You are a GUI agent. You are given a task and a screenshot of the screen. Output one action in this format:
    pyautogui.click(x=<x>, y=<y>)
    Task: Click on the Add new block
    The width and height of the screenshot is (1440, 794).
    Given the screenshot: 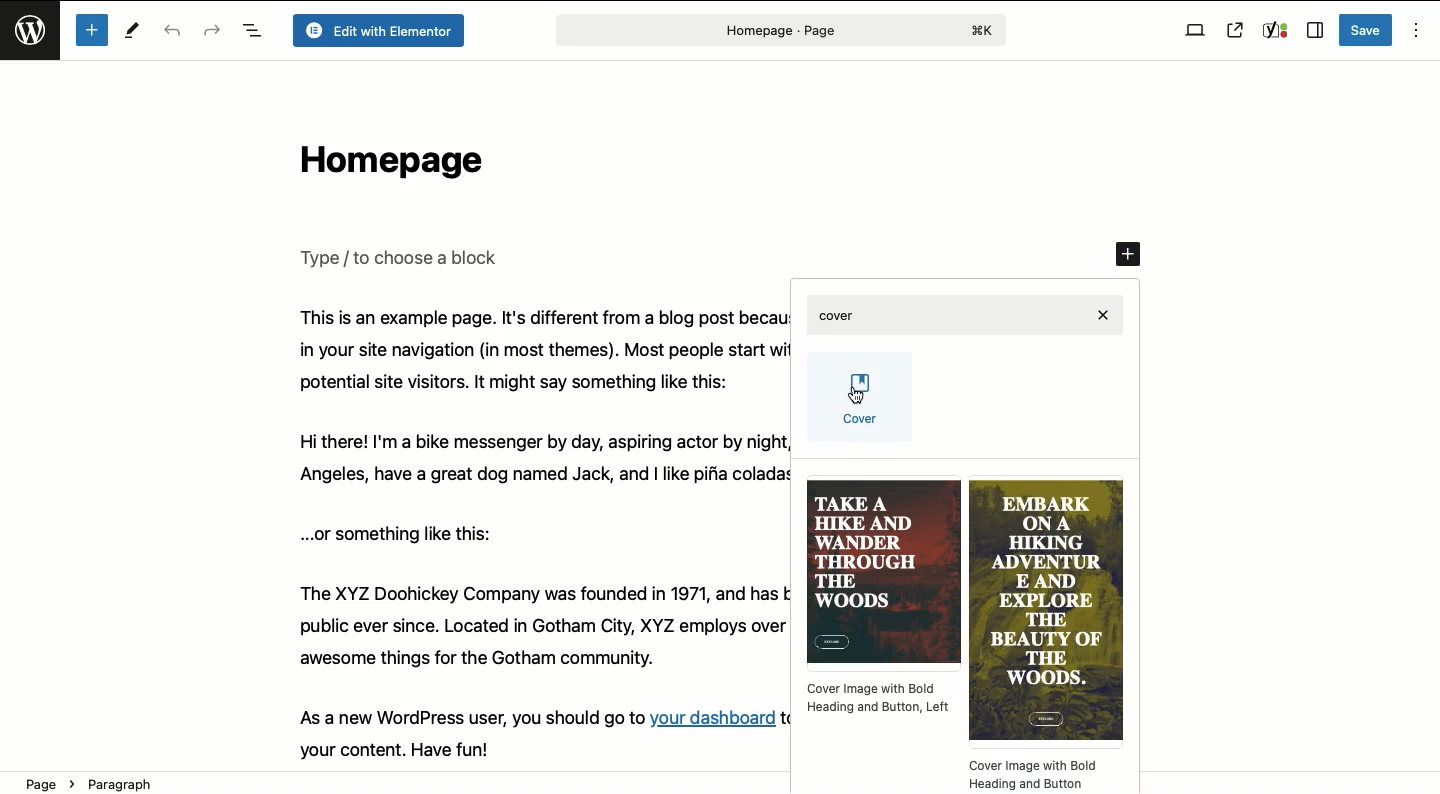 What is the action you would take?
    pyautogui.click(x=91, y=30)
    